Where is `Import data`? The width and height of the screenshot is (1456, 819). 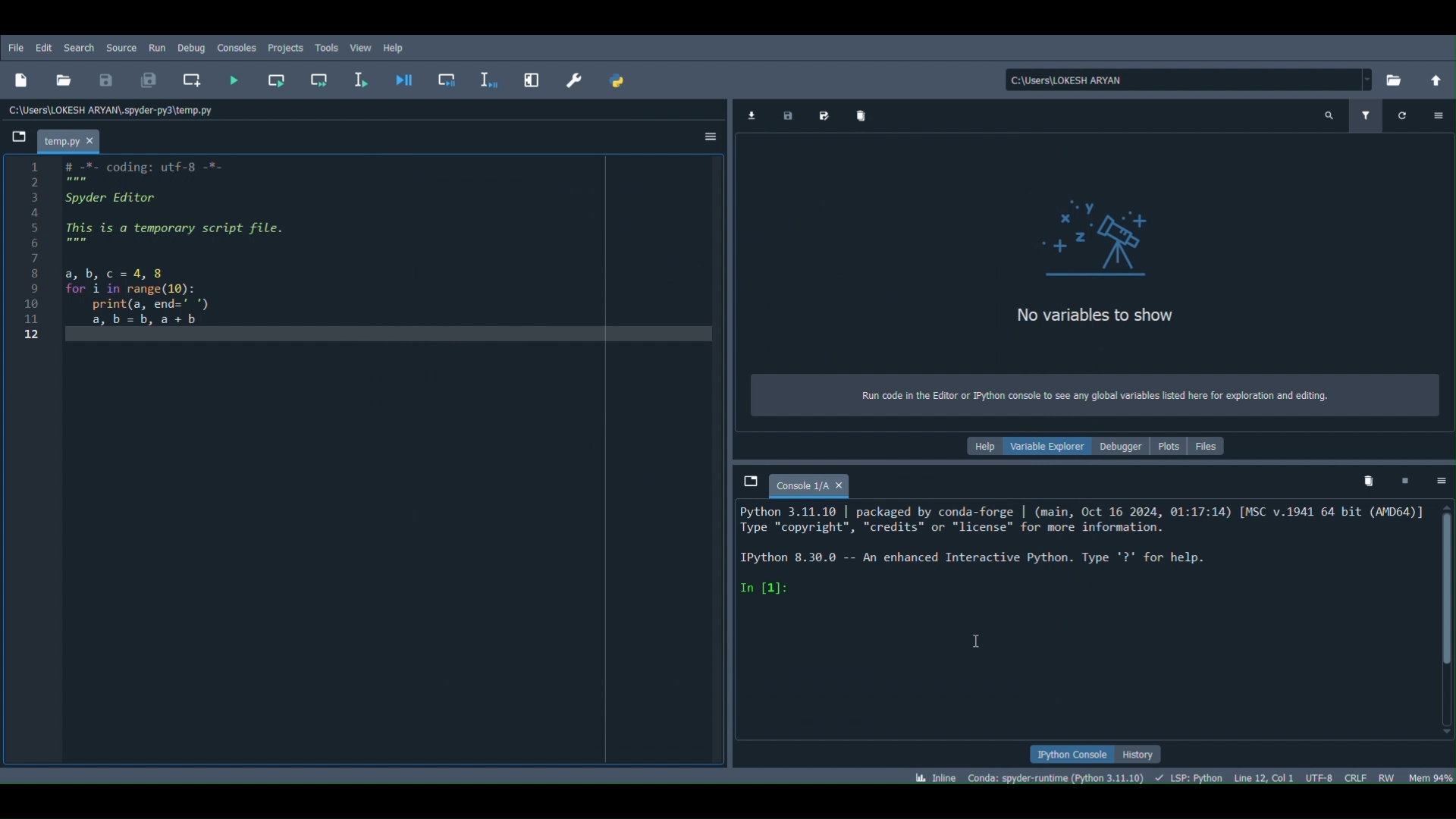
Import data is located at coordinates (750, 113).